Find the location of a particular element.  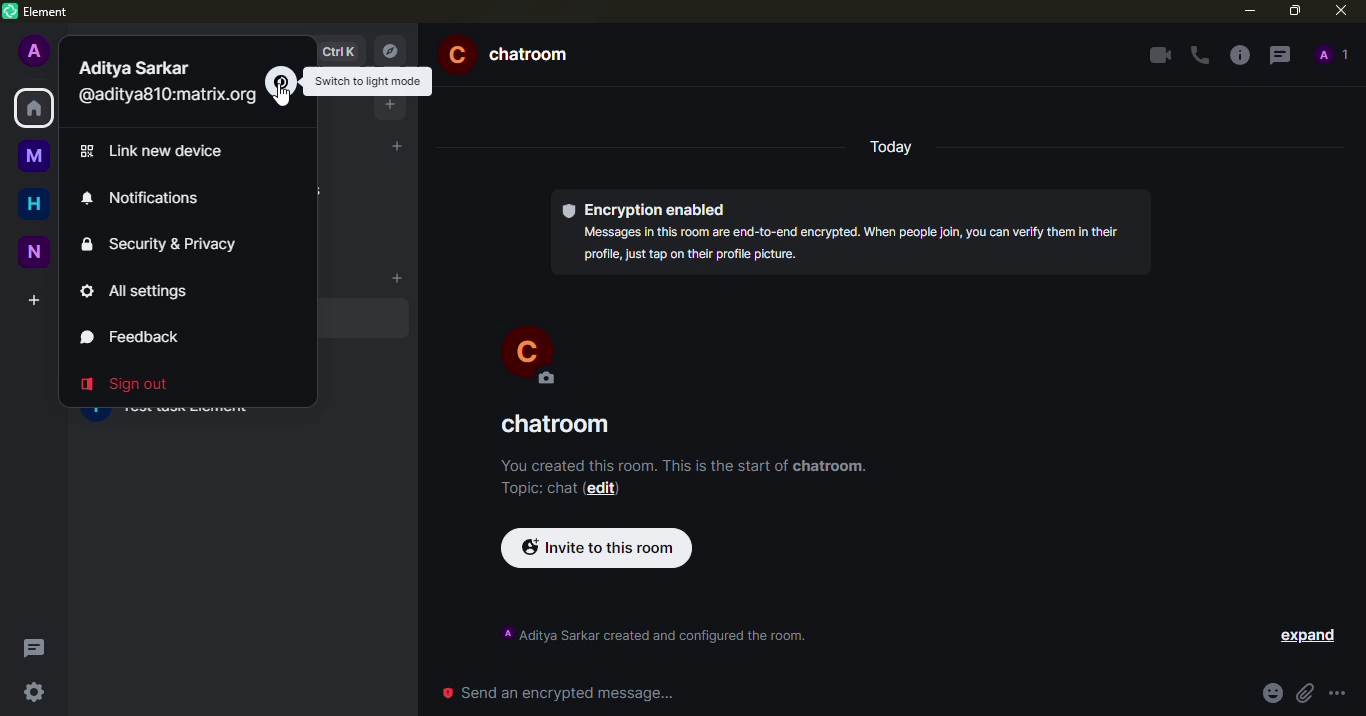

home is located at coordinates (35, 203).